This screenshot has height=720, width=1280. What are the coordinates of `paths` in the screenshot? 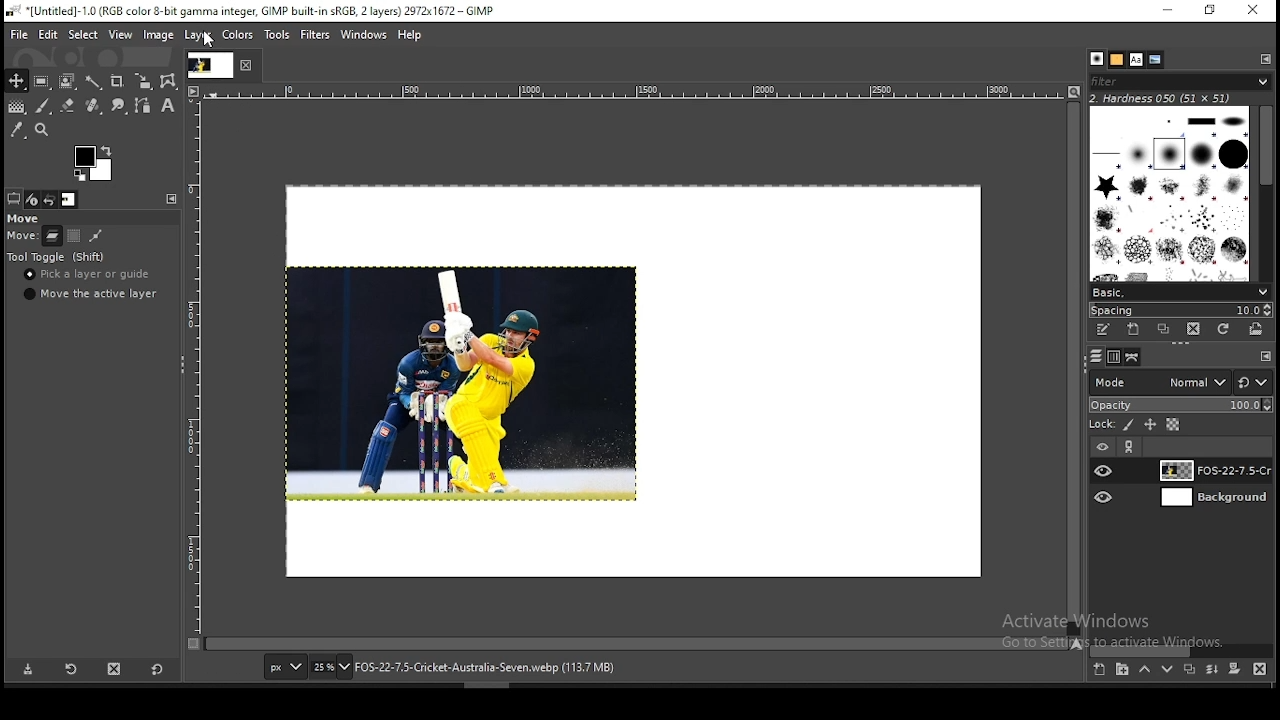 It's located at (1134, 357).